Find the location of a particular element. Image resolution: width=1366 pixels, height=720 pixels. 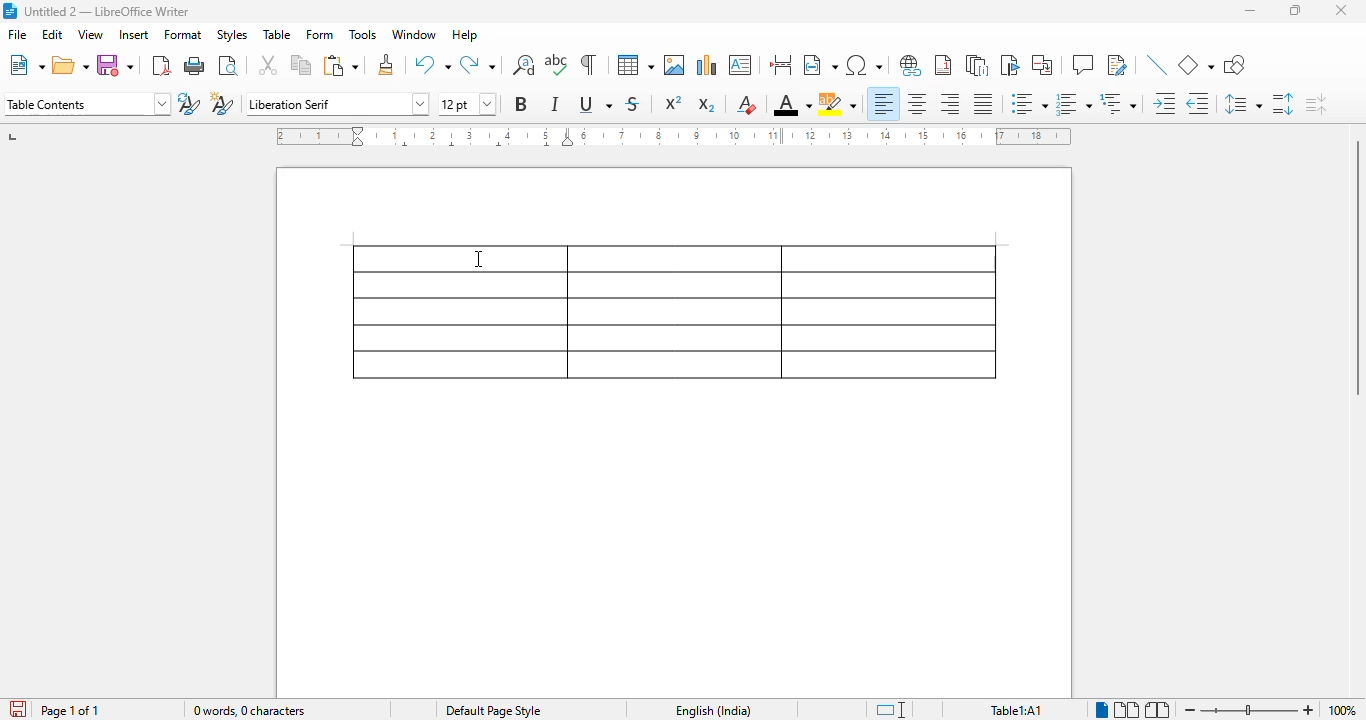

show track changes functions is located at coordinates (1118, 65).